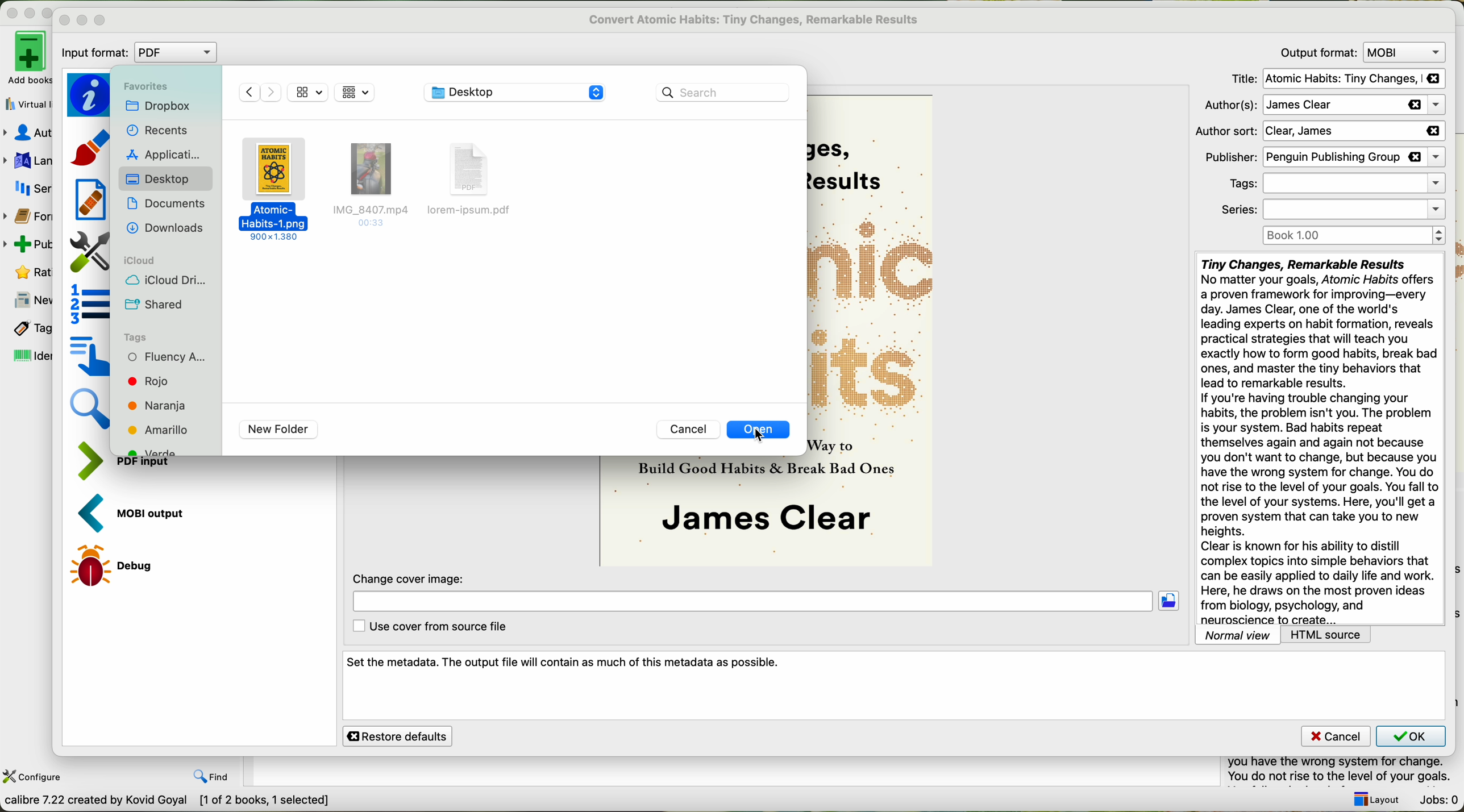 This screenshot has height=812, width=1464. I want to click on favorites, so click(144, 86).